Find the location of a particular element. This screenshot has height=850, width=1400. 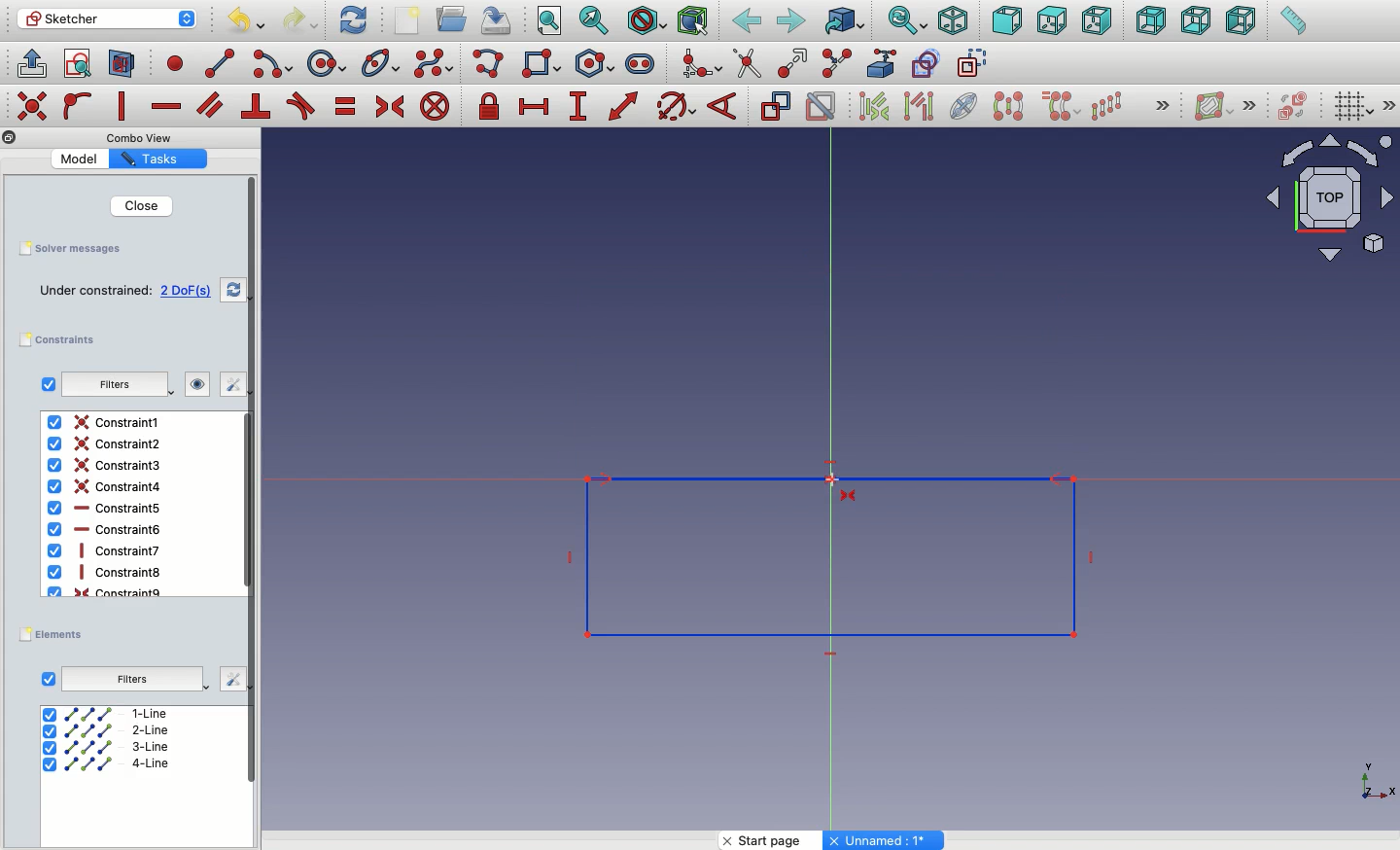

Go to linked object is located at coordinates (845, 22).